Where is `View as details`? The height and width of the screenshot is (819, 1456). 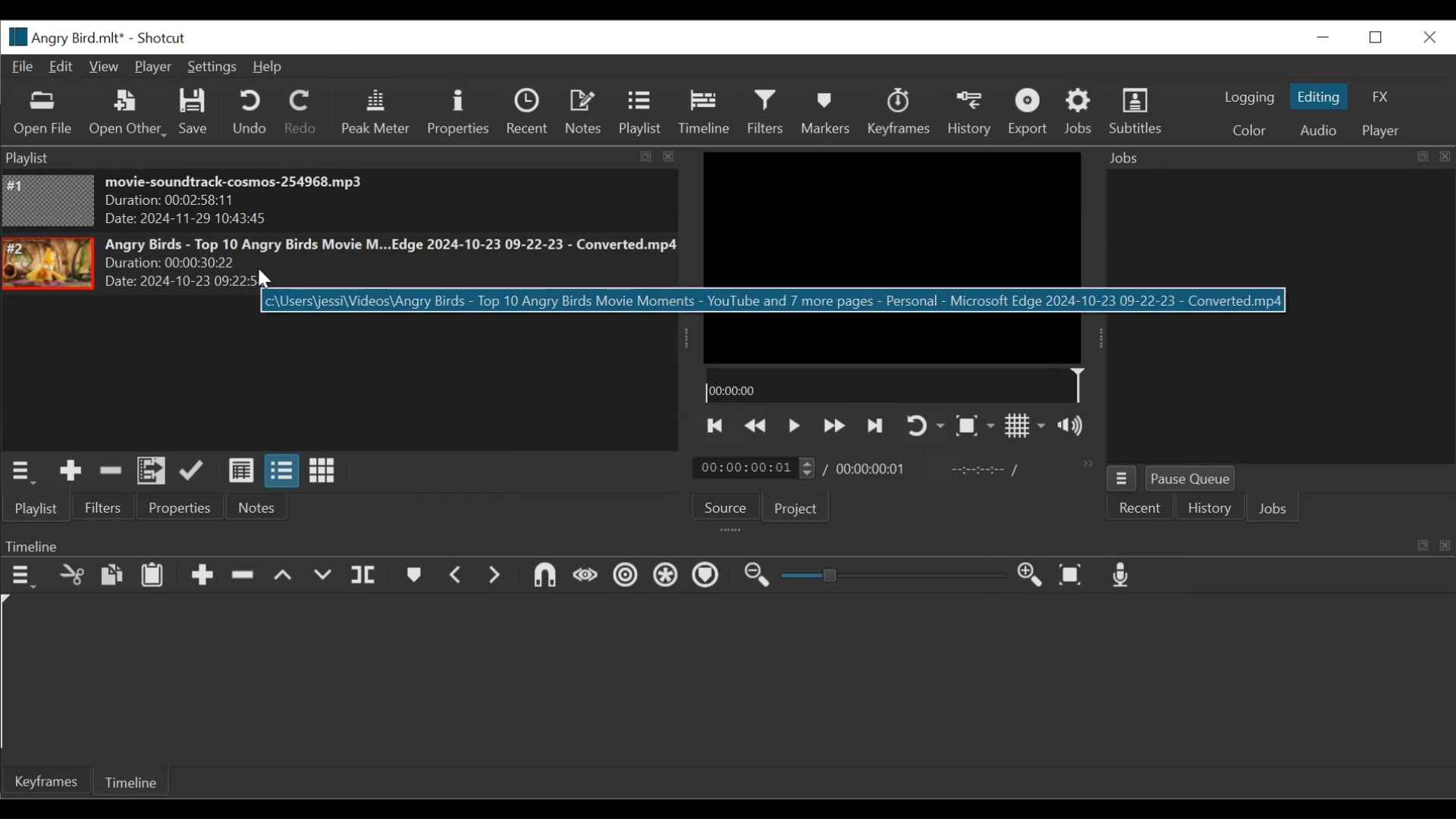
View as details is located at coordinates (240, 472).